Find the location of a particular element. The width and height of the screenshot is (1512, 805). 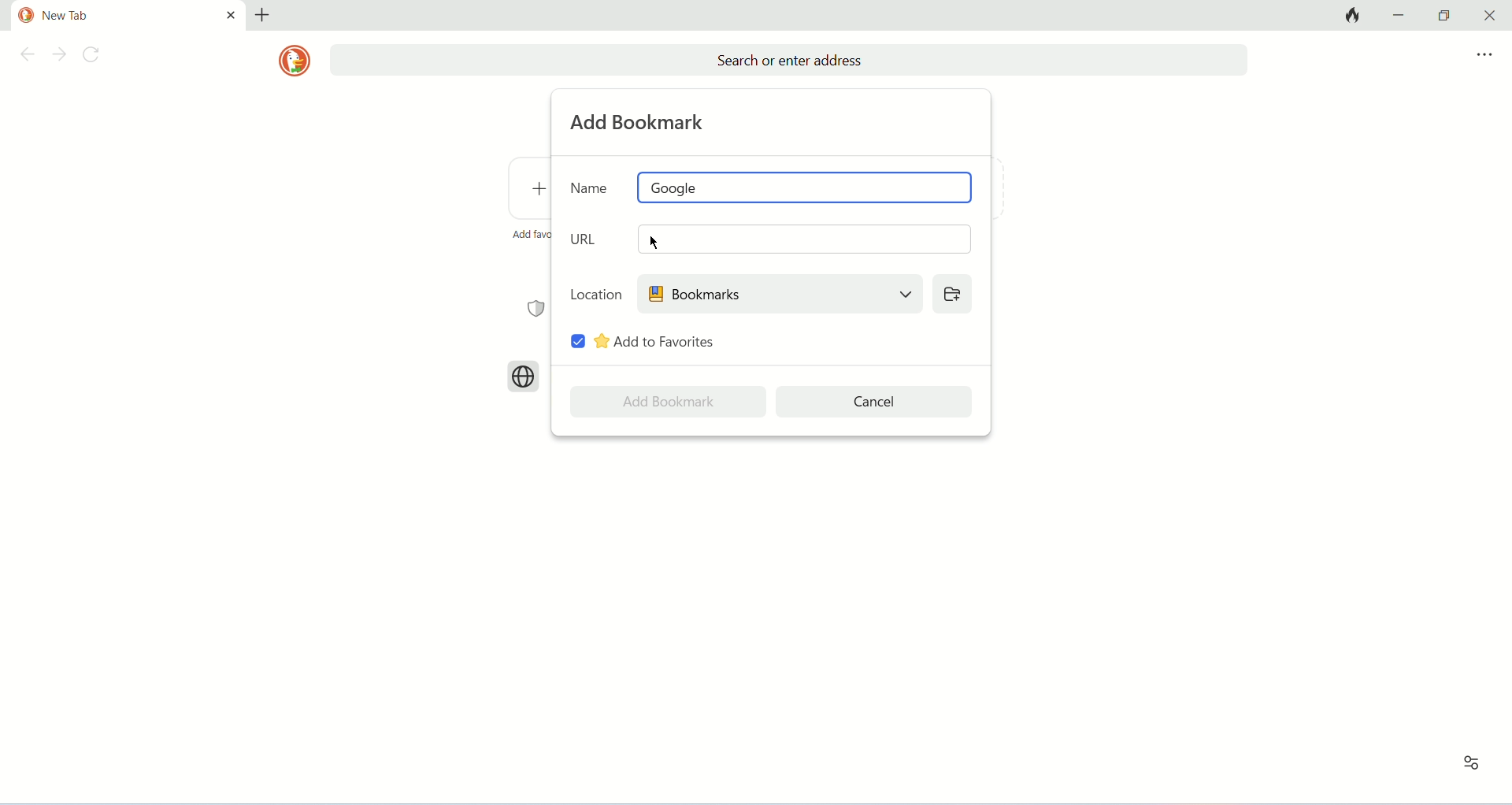

go forward is located at coordinates (59, 56).